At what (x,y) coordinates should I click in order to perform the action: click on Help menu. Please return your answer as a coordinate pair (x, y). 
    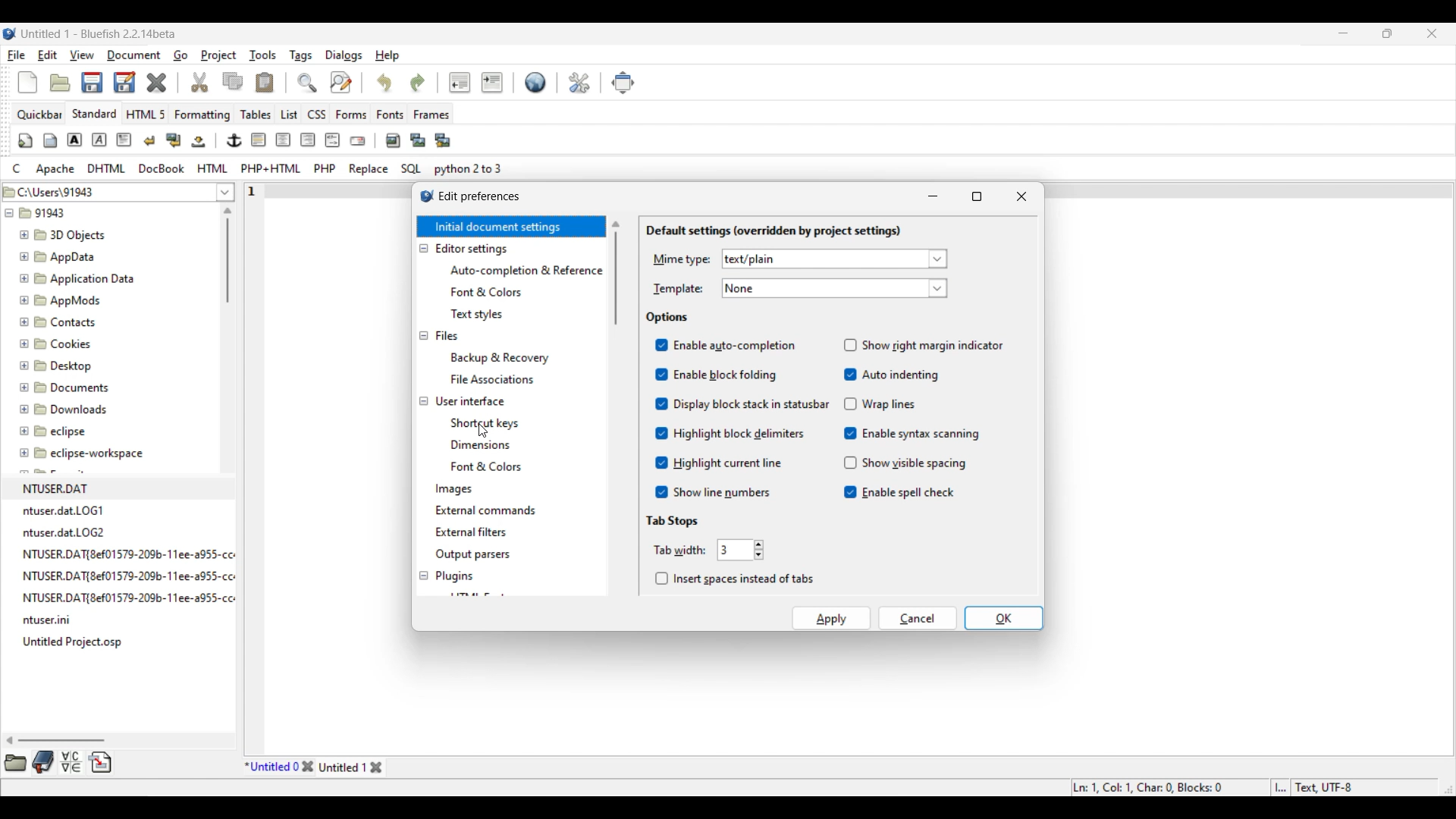
    Looking at the image, I should click on (388, 56).